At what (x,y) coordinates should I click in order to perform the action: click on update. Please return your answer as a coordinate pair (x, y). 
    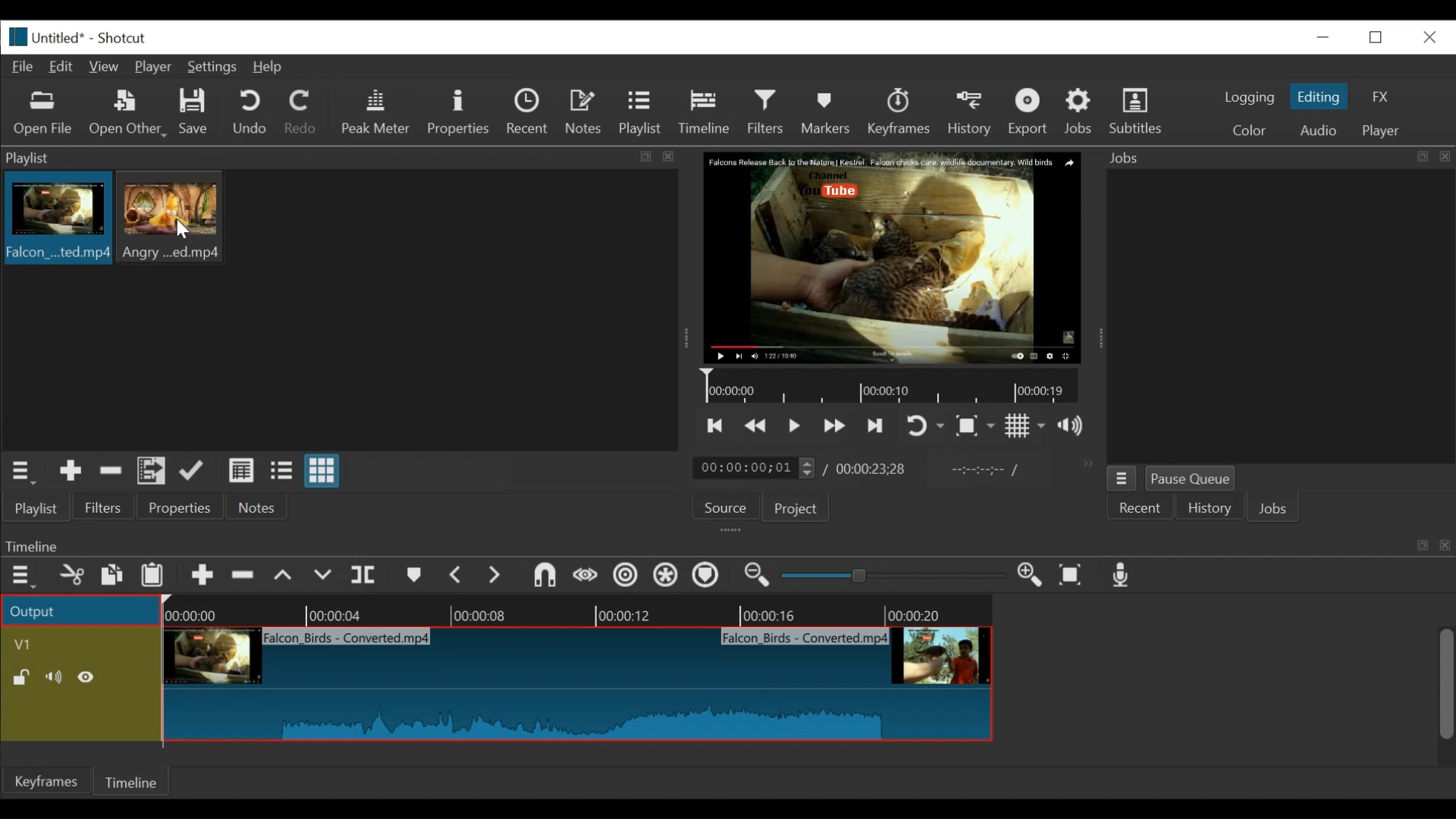
    Looking at the image, I should click on (195, 474).